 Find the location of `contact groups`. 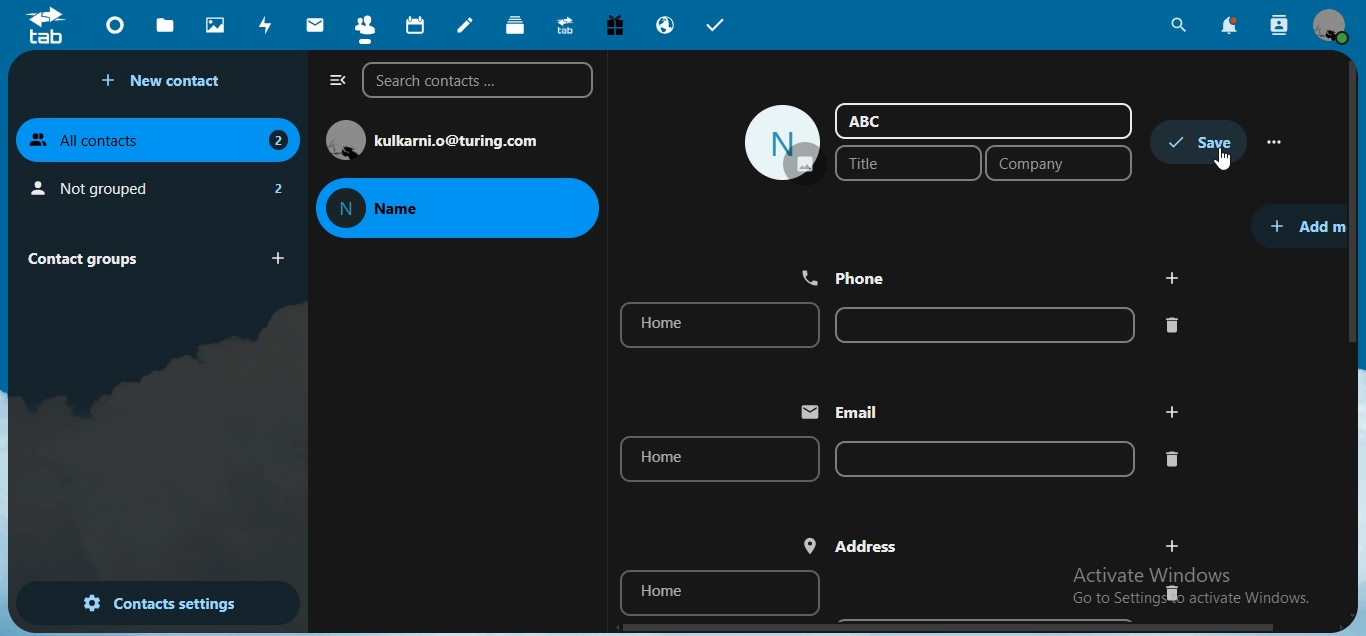

contact groups is located at coordinates (151, 257).